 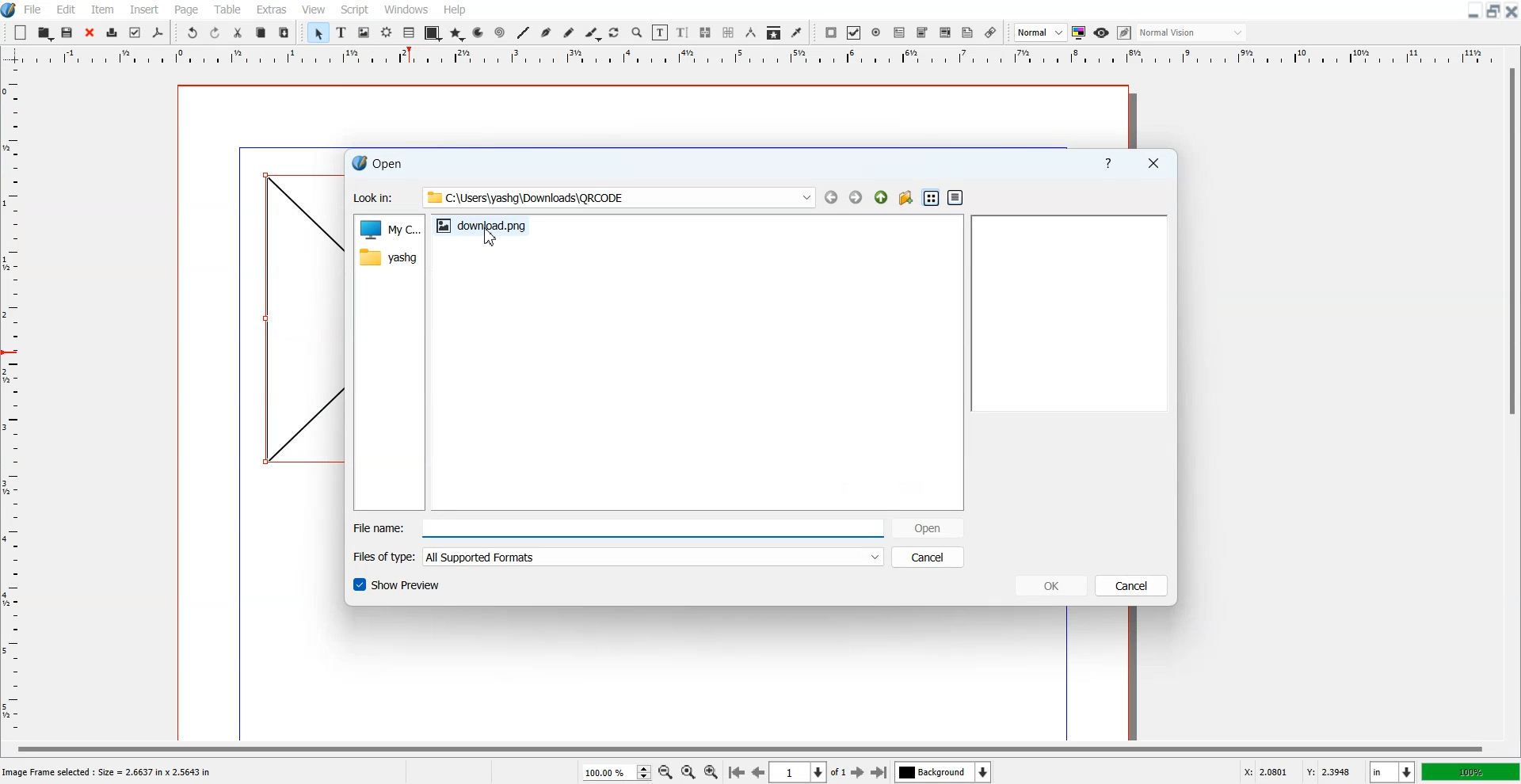 I want to click on Preflight verifier, so click(x=135, y=33).